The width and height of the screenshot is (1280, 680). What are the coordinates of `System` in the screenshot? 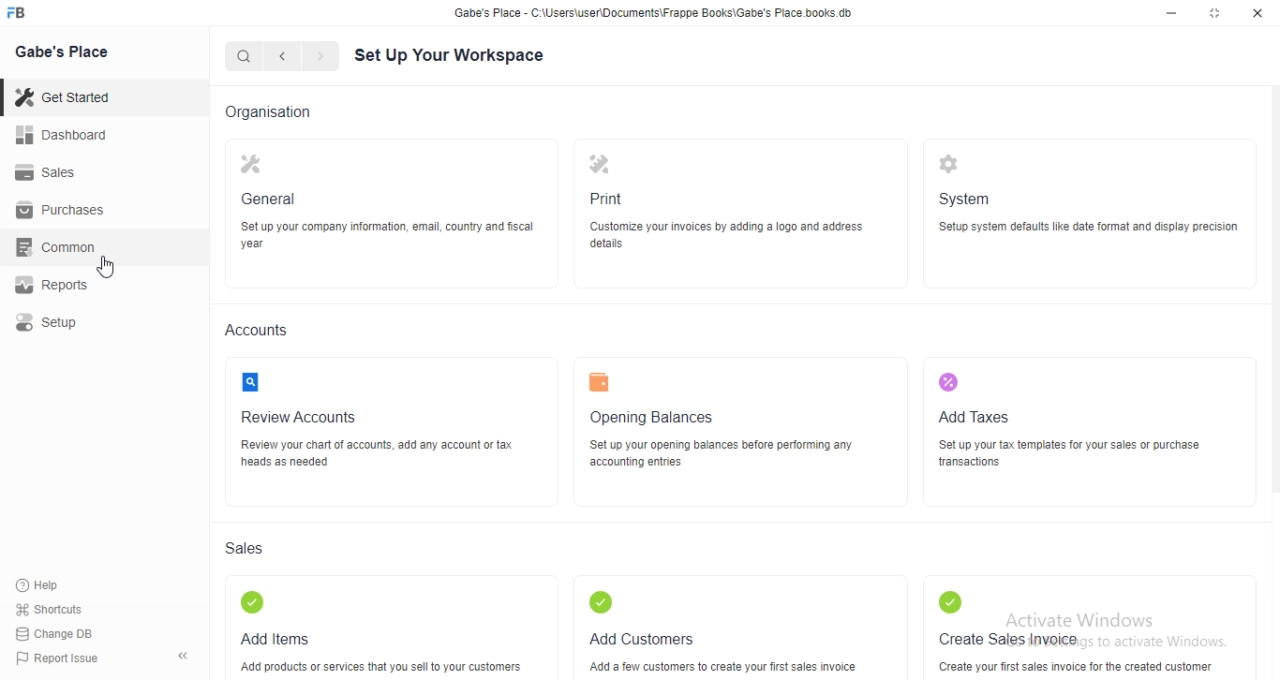 It's located at (966, 196).